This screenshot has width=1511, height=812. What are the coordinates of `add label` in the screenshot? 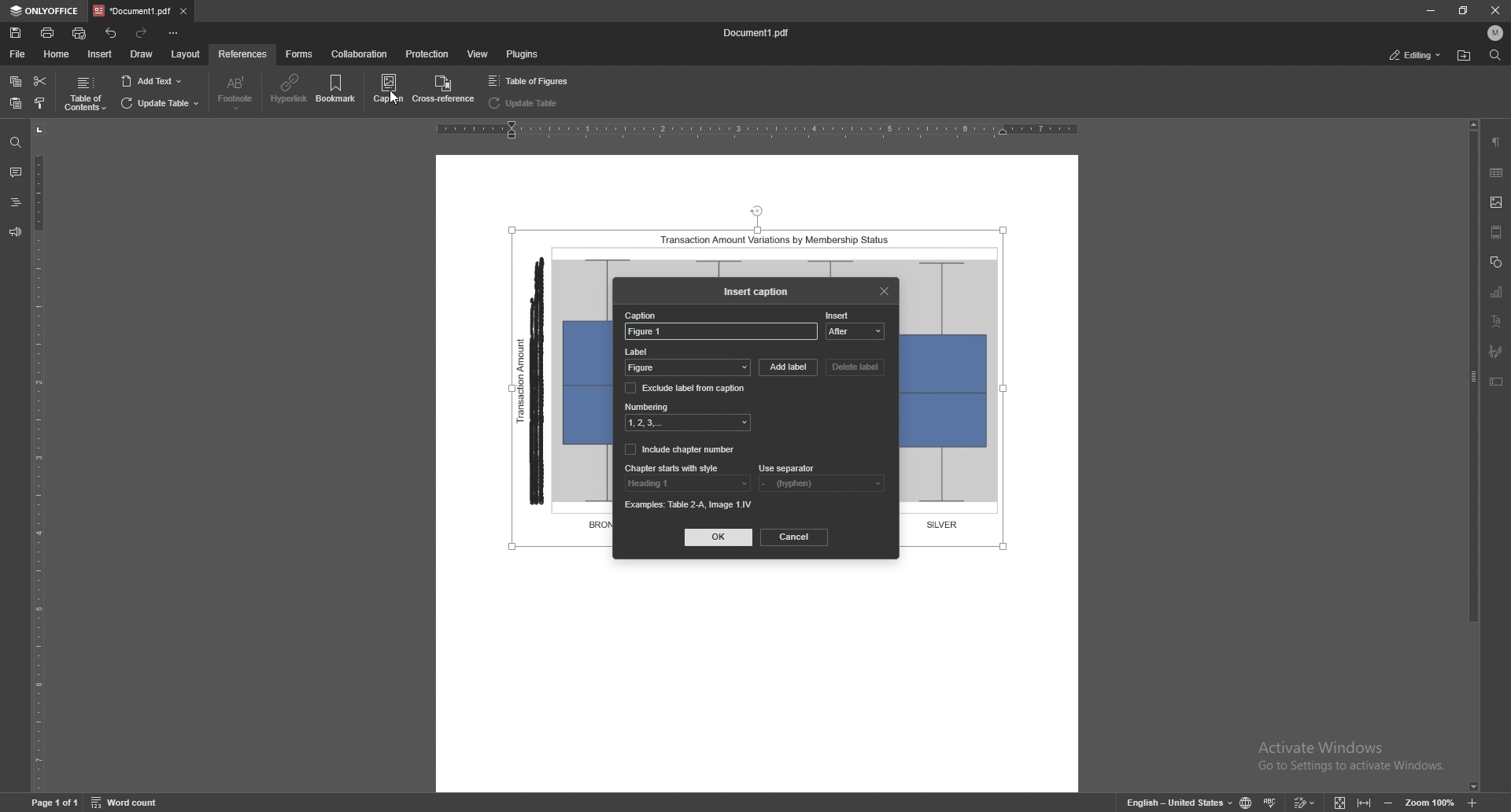 It's located at (789, 369).